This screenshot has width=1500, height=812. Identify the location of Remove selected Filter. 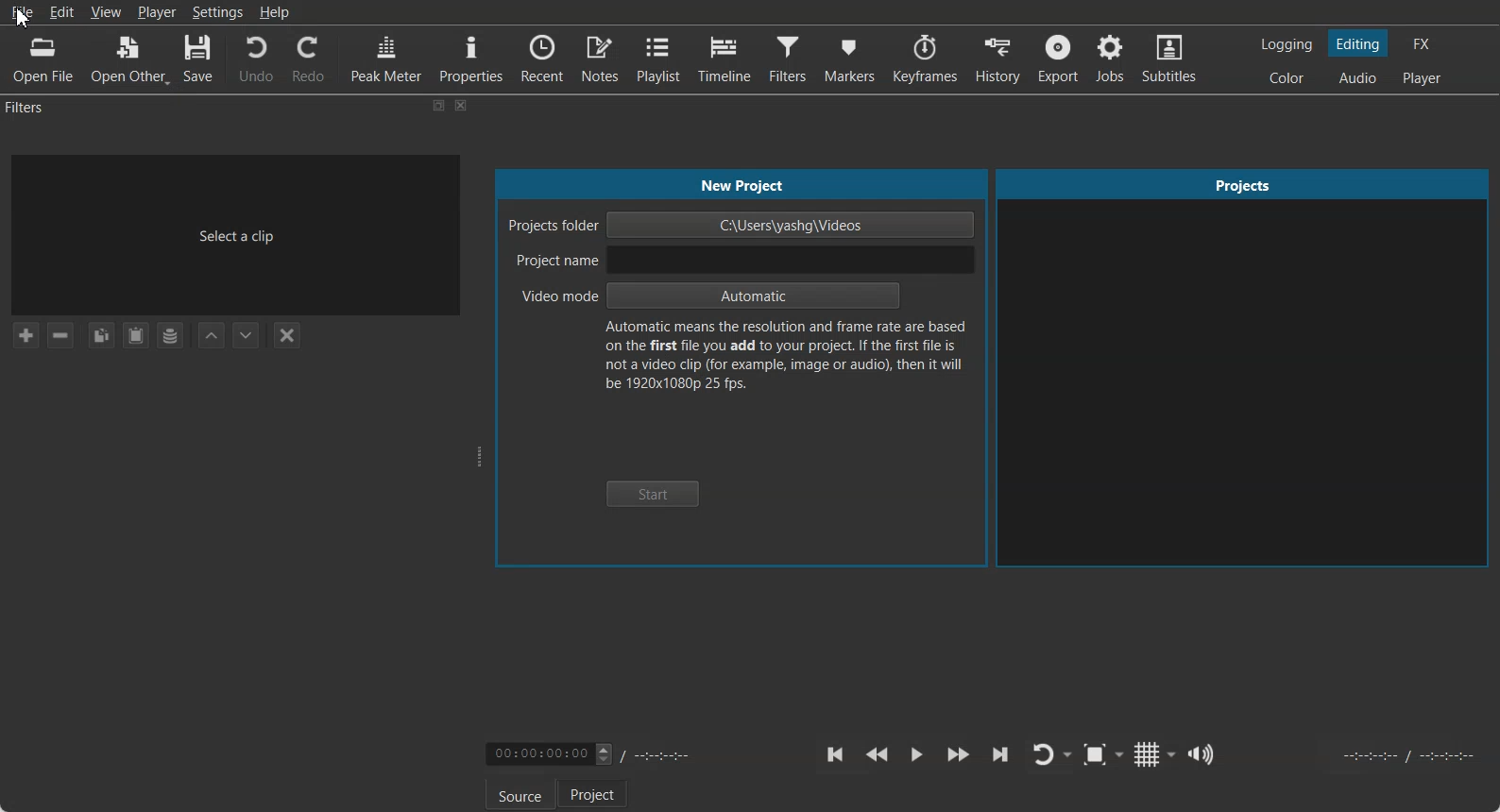
(60, 334).